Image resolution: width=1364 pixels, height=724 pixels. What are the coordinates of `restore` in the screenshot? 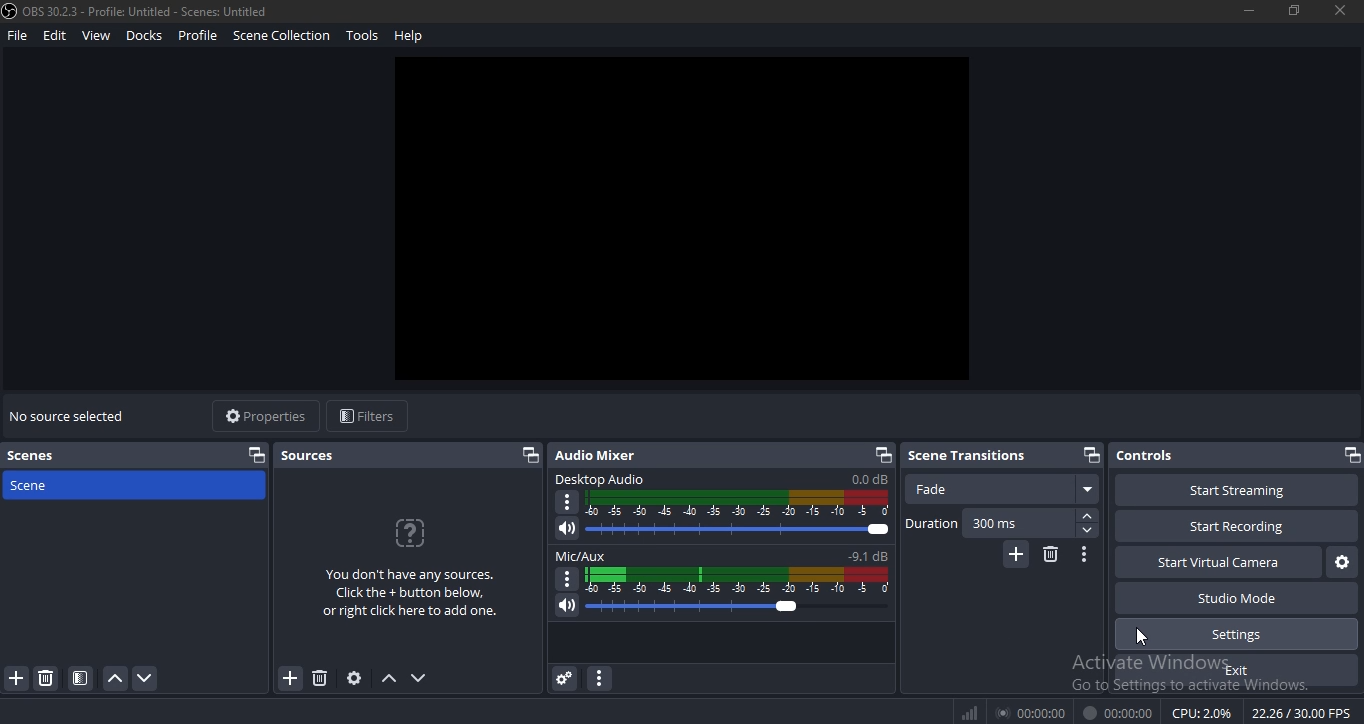 It's located at (1089, 454).